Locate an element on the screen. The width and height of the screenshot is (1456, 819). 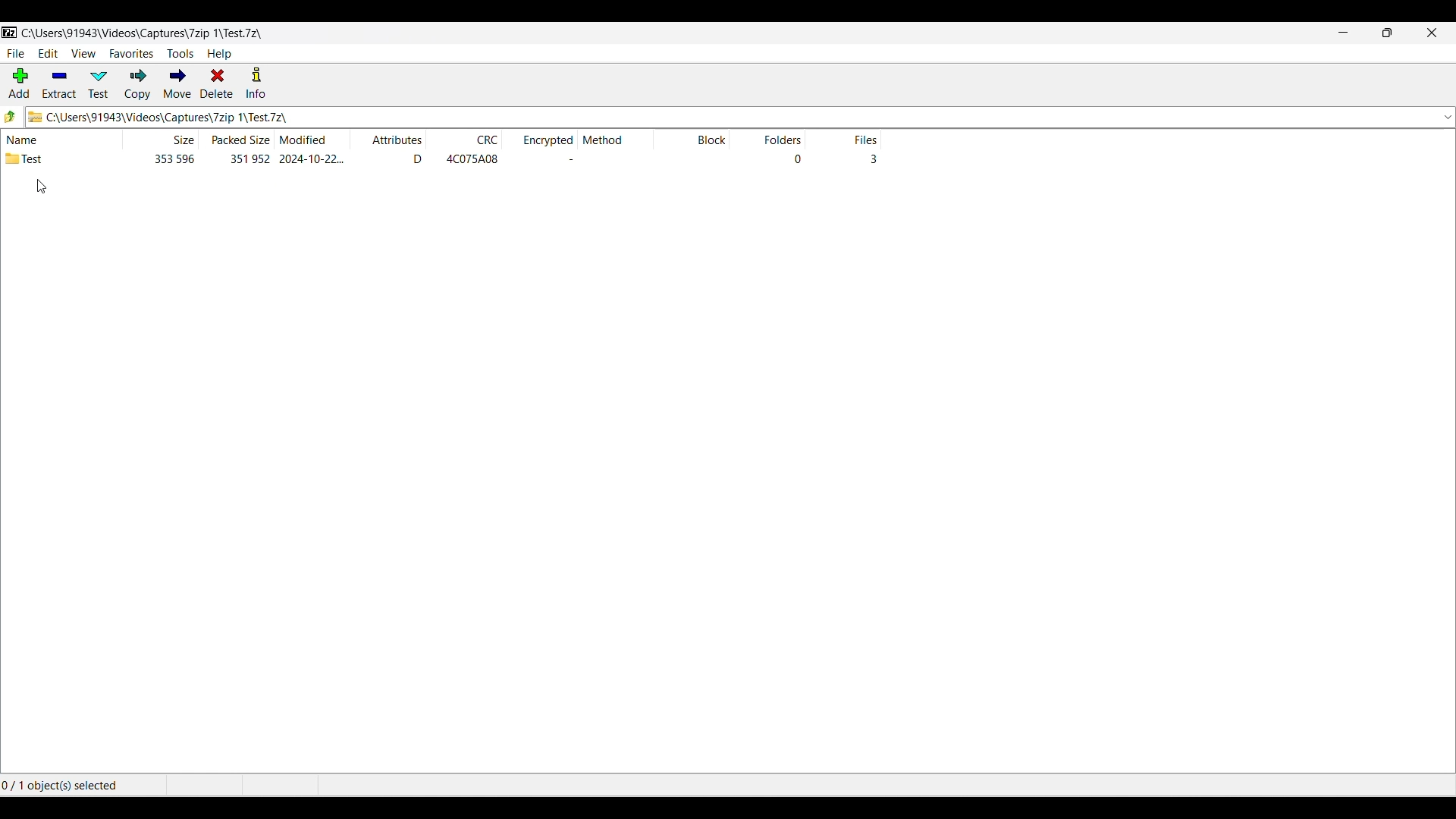
Minimize is located at coordinates (1343, 32).